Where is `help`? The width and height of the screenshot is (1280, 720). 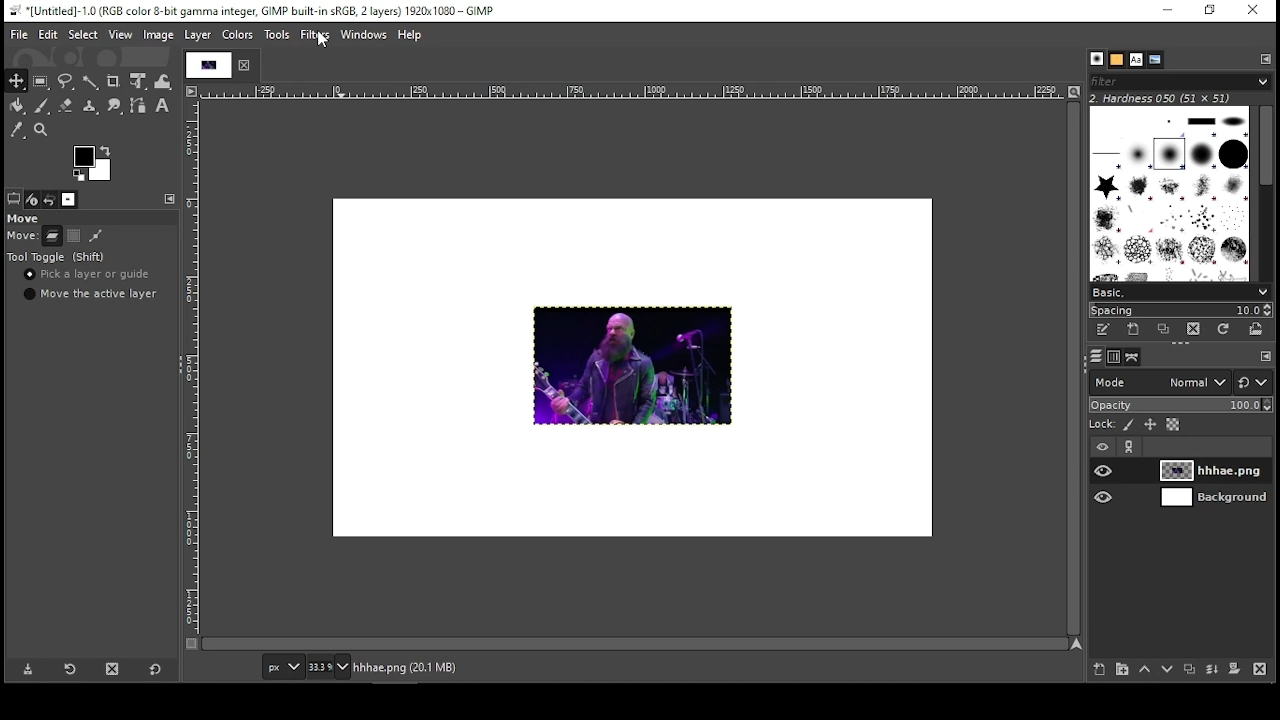
help is located at coordinates (410, 36).